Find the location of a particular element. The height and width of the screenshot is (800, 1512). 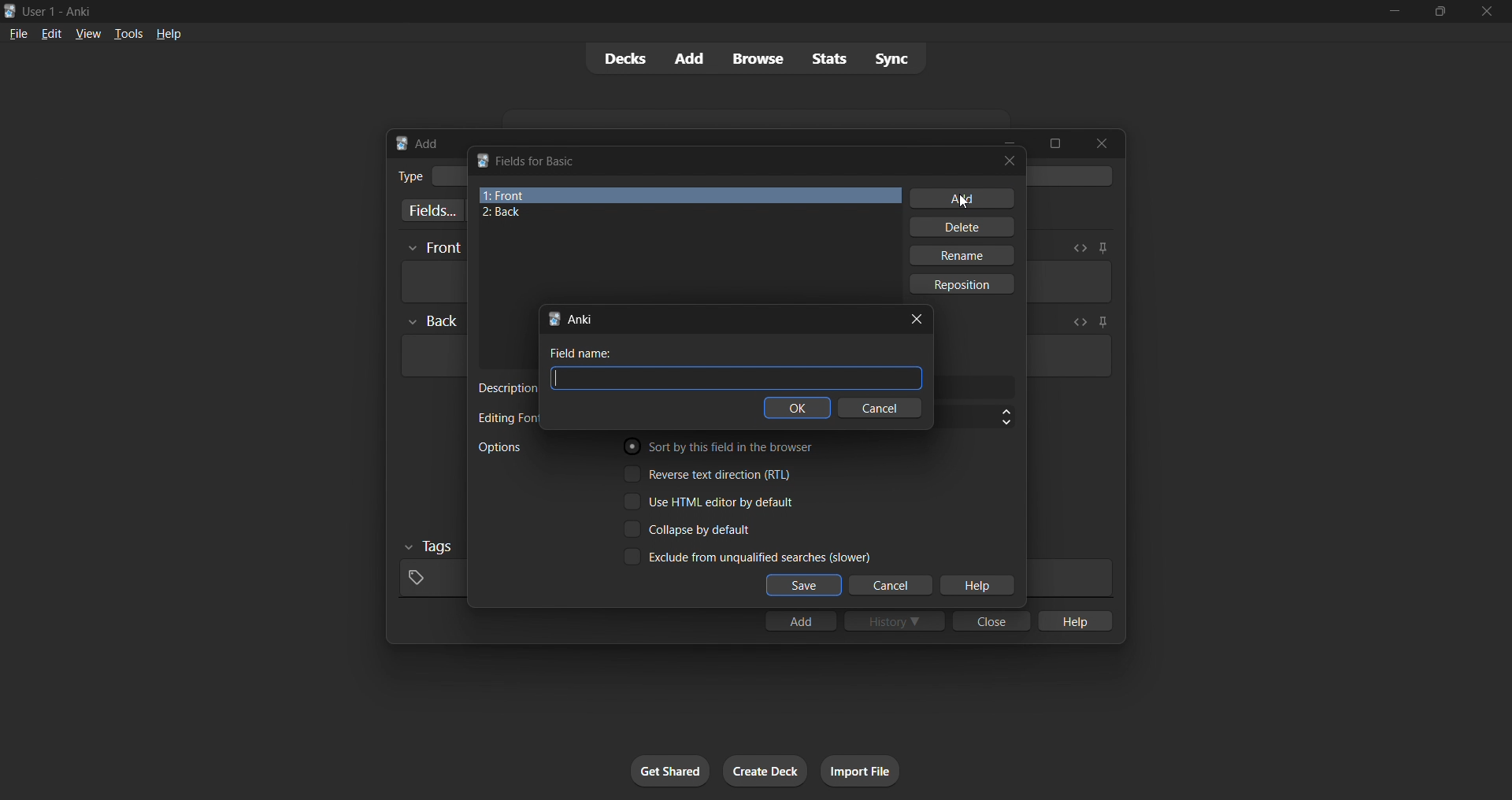

add is located at coordinates (800, 620).